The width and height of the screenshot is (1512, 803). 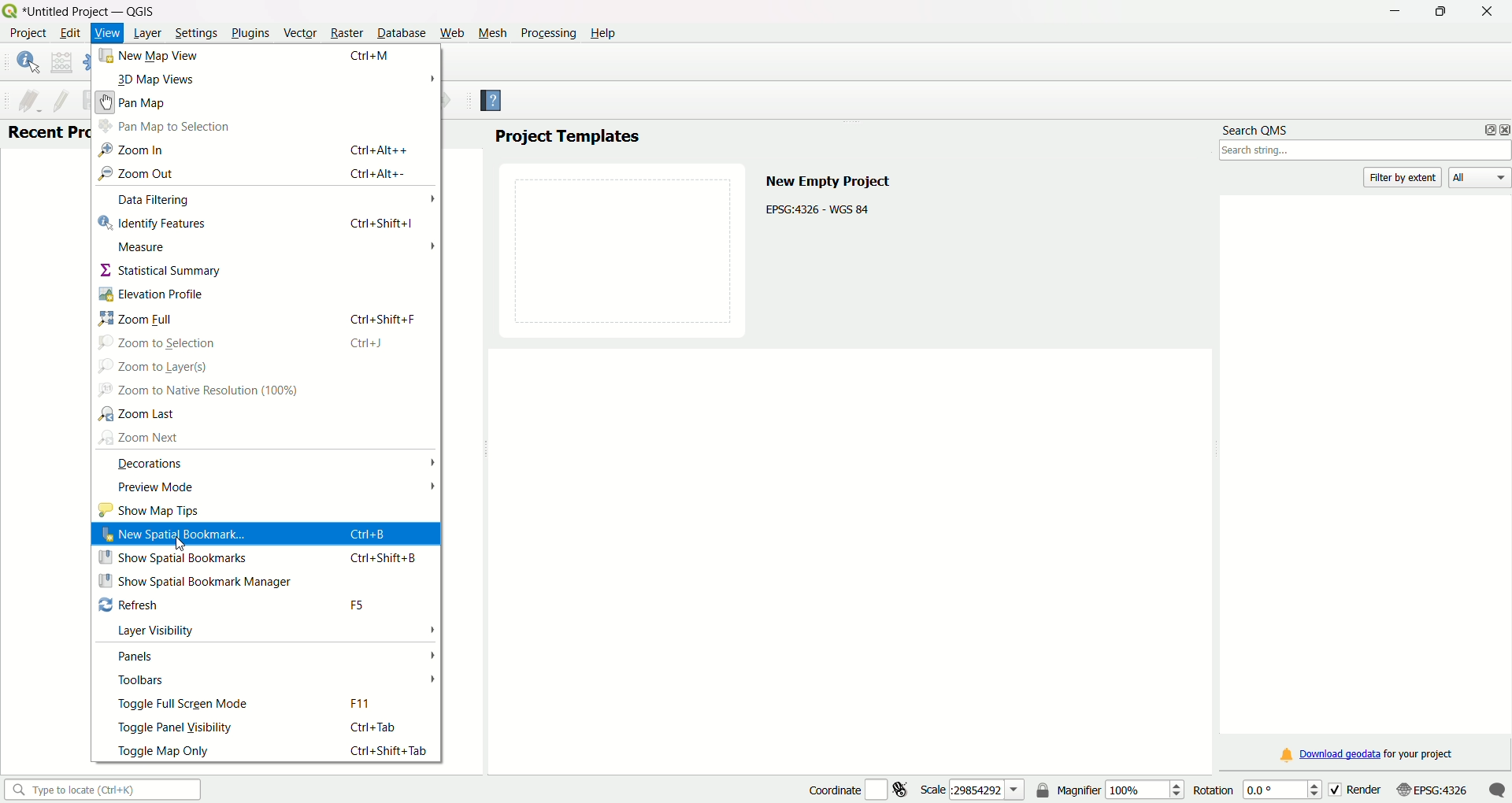 I want to click on Project, so click(x=28, y=35).